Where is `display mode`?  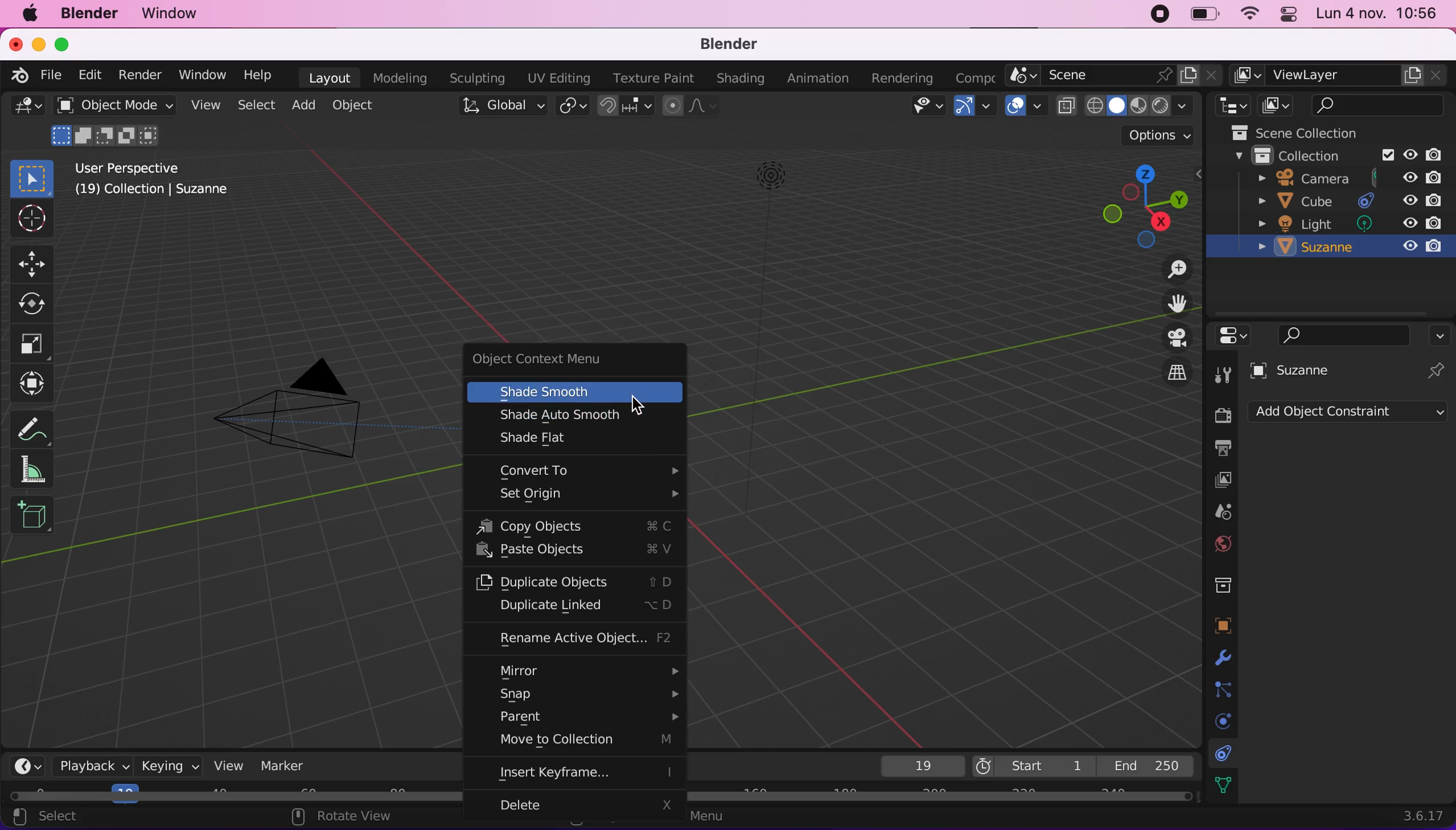
display mode is located at coordinates (1279, 104).